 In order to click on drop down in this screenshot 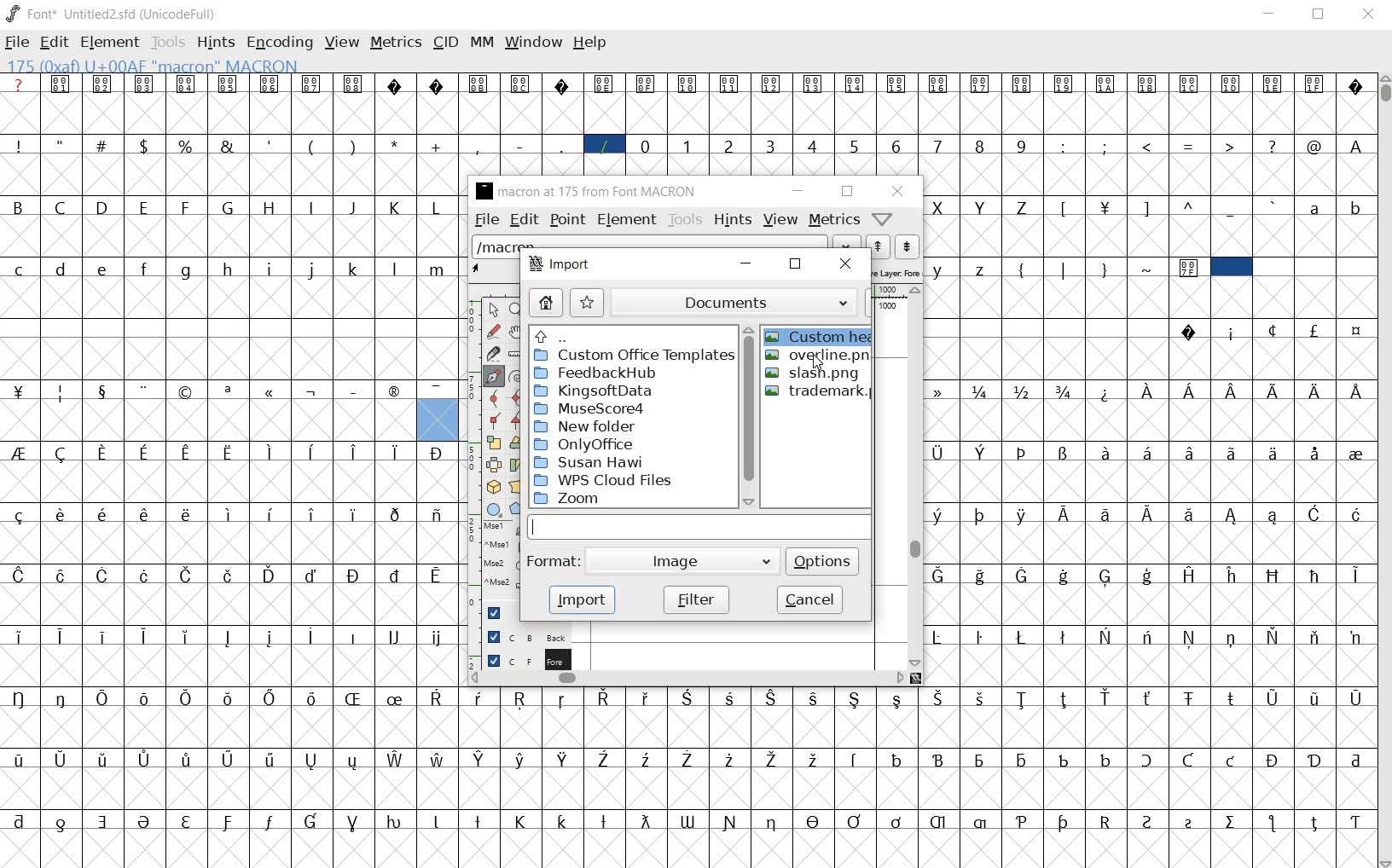, I will do `click(844, 240)`.